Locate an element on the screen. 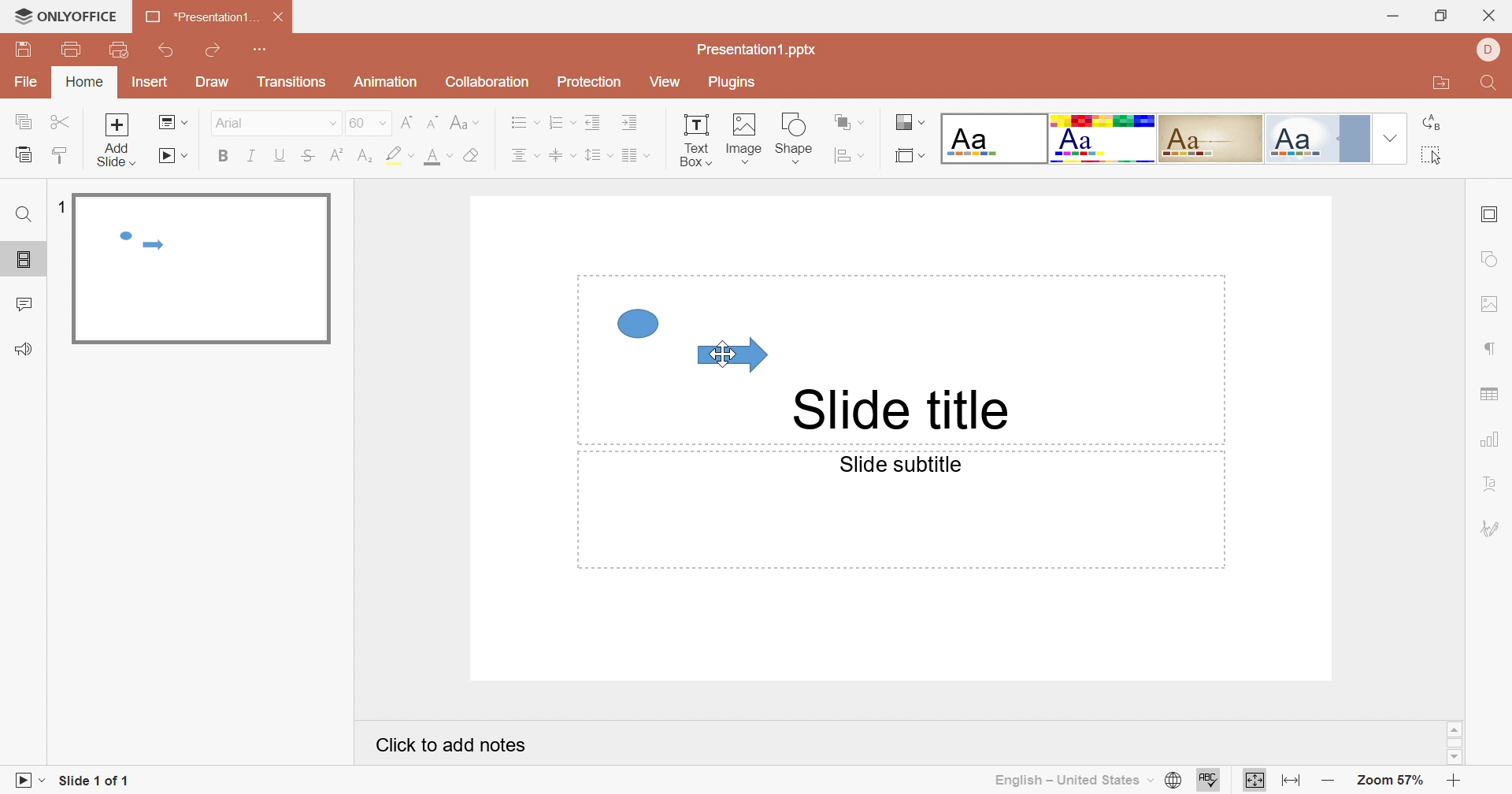 This screenshot has width=1512, height=794. Redo is located at coordinates (215, 54).